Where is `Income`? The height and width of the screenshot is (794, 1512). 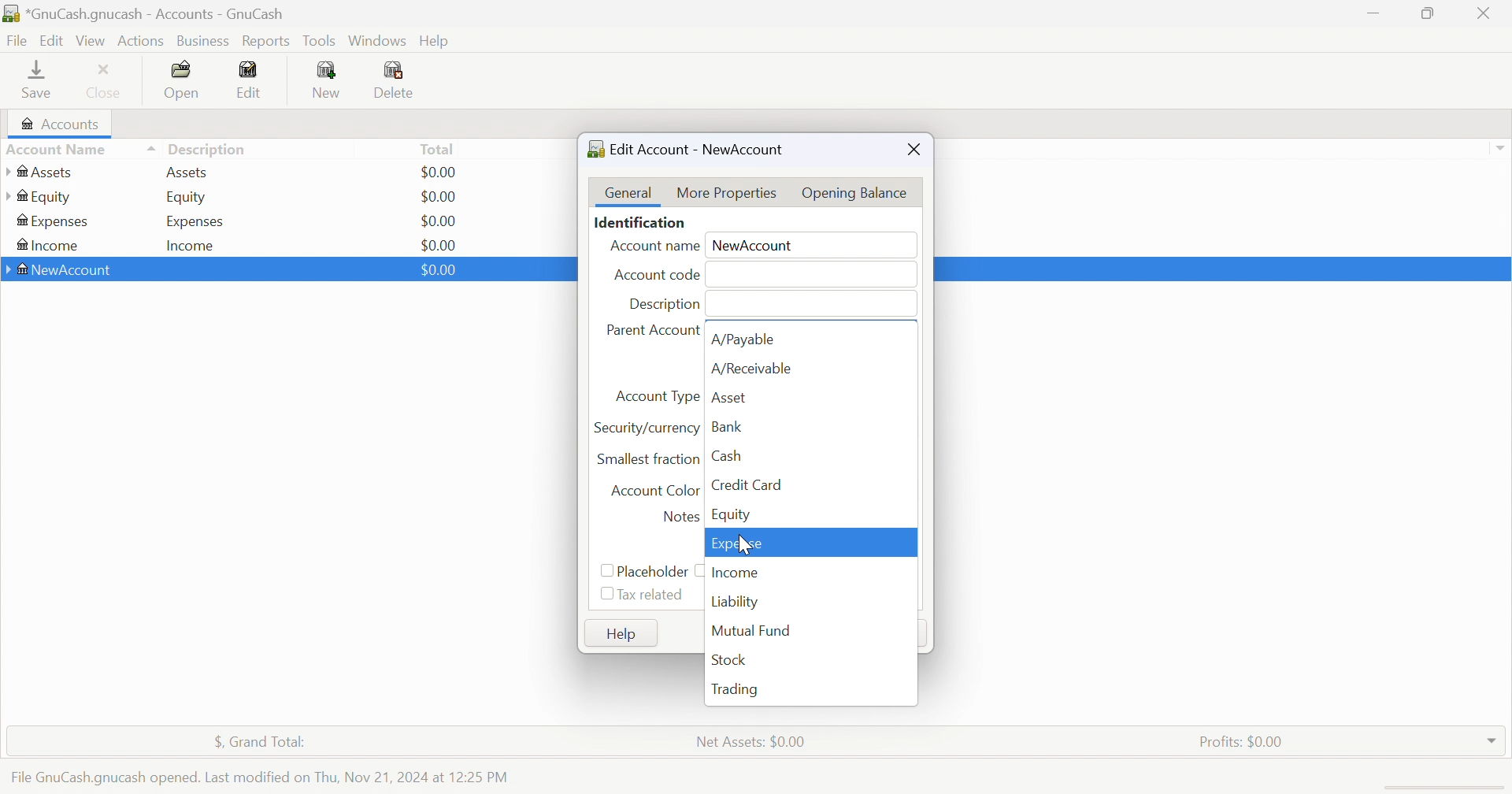 Income is located at coordinates (191, 247).